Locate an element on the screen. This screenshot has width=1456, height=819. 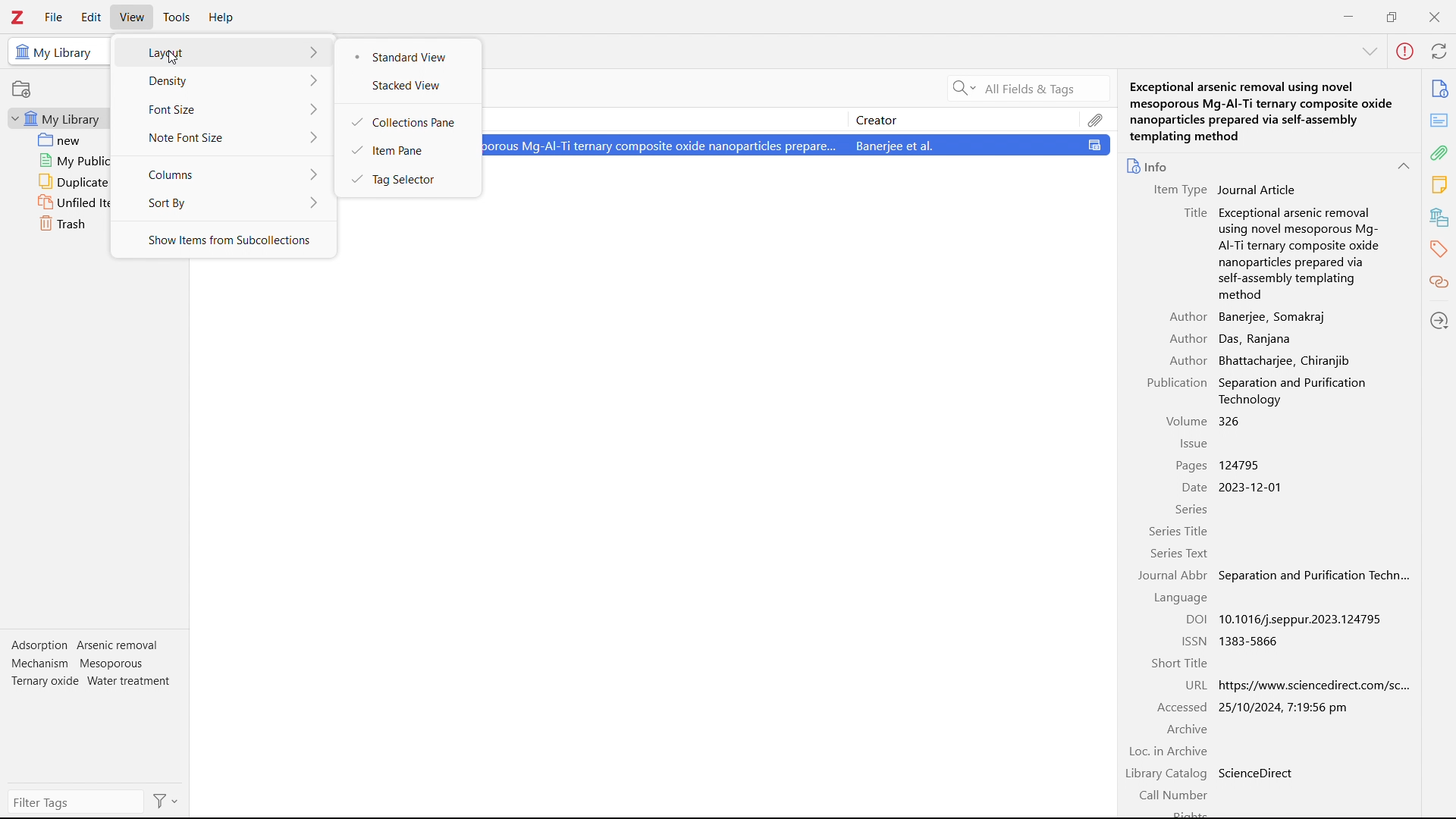
error in sync is located at coordinates (1405, 52).